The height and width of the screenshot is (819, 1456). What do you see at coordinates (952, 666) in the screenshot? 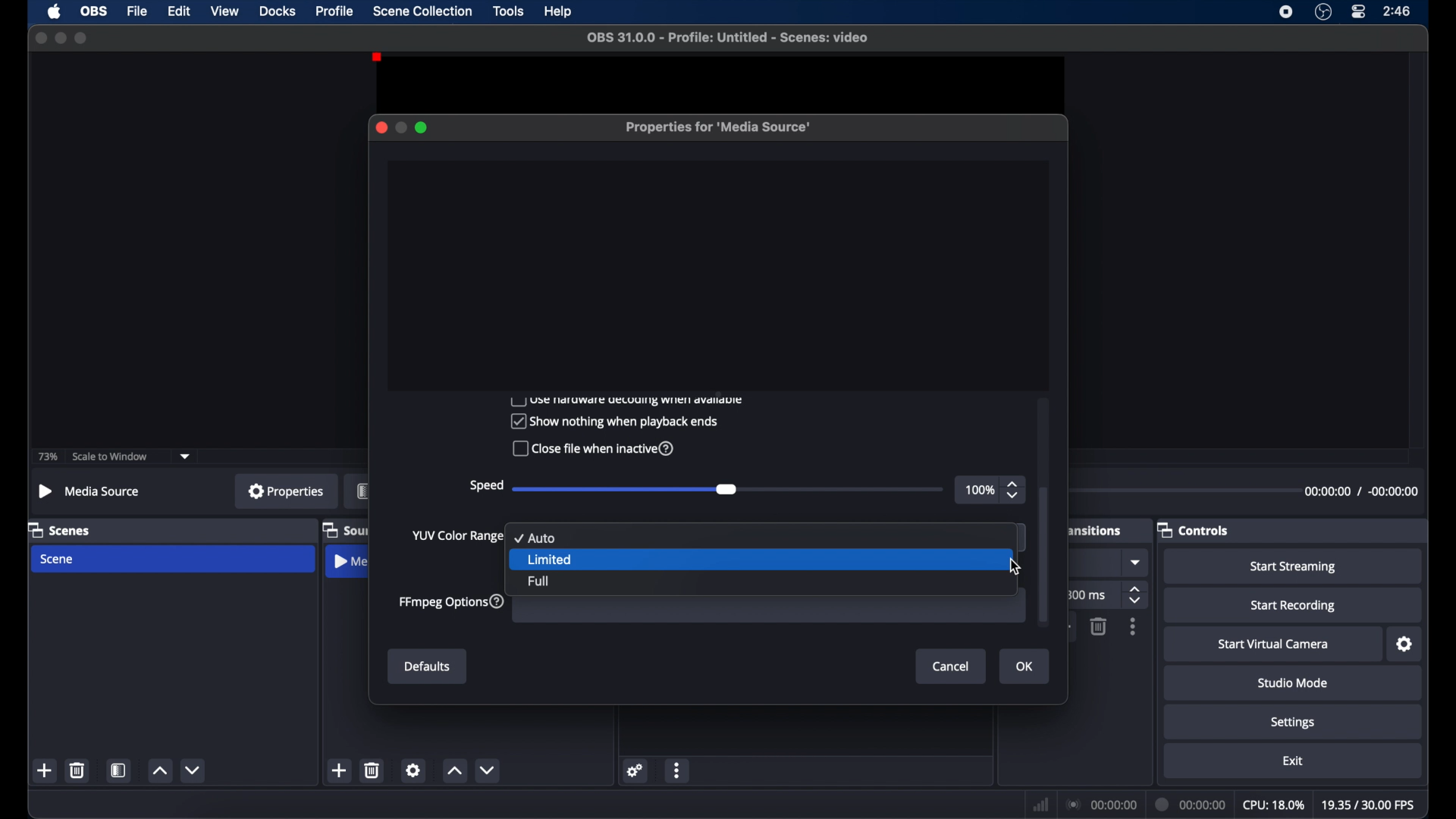
I see `cancel` at bounding box center [952, 666].